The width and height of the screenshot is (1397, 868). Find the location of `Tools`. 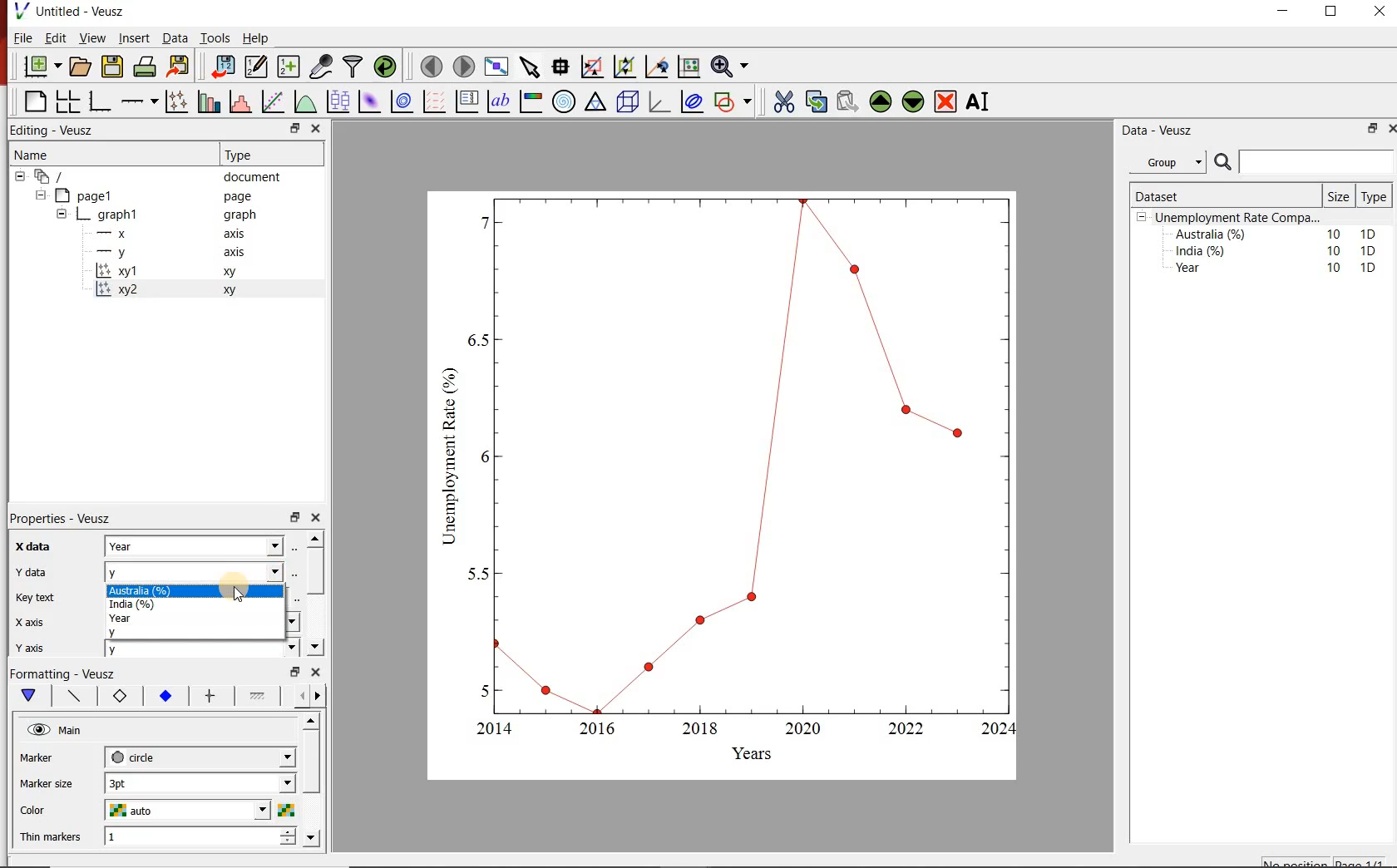

Tools is located at coordinates (216, 37).